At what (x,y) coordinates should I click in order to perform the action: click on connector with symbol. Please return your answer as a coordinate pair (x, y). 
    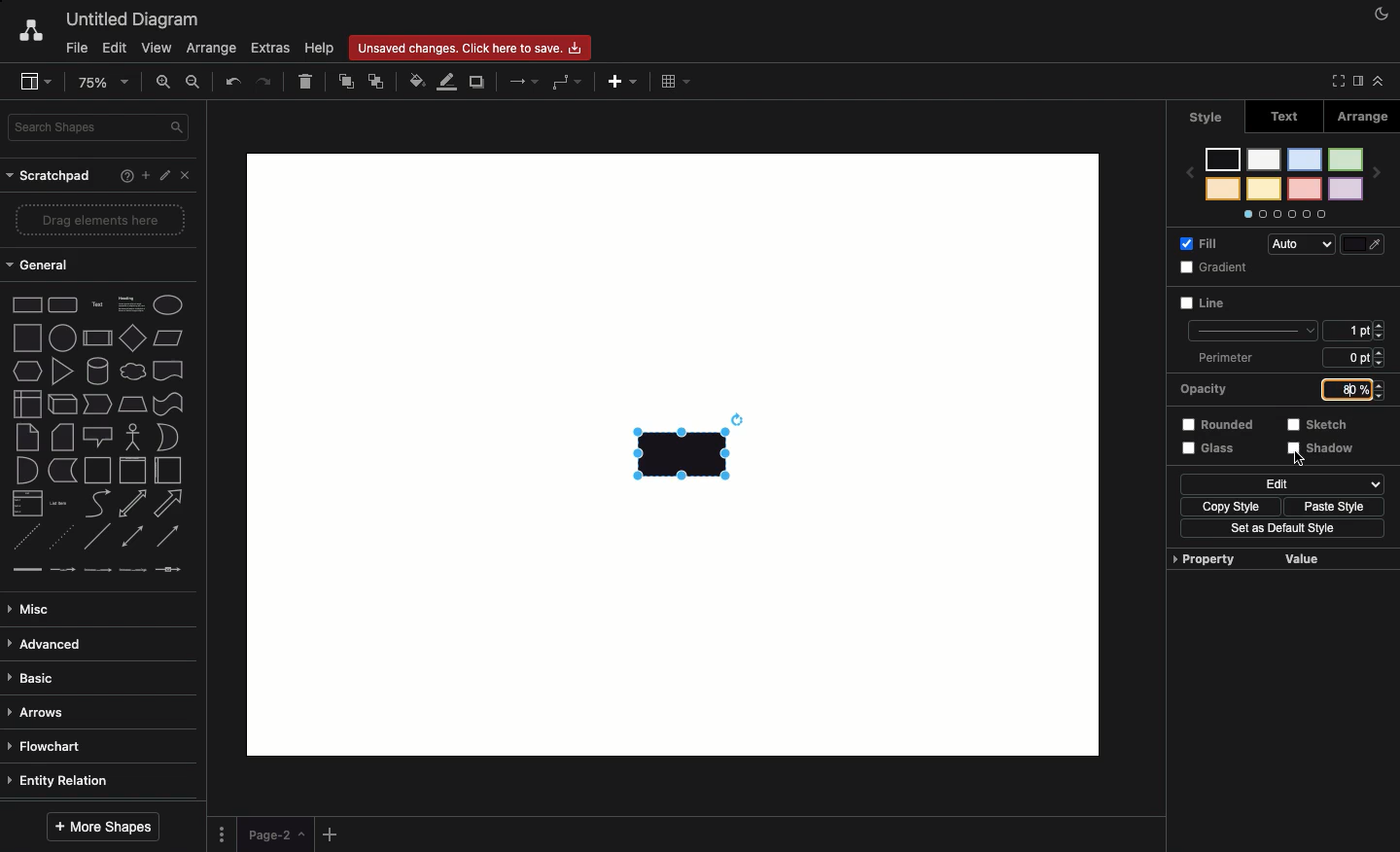
    Looking at the image, I should click on (171, 572).